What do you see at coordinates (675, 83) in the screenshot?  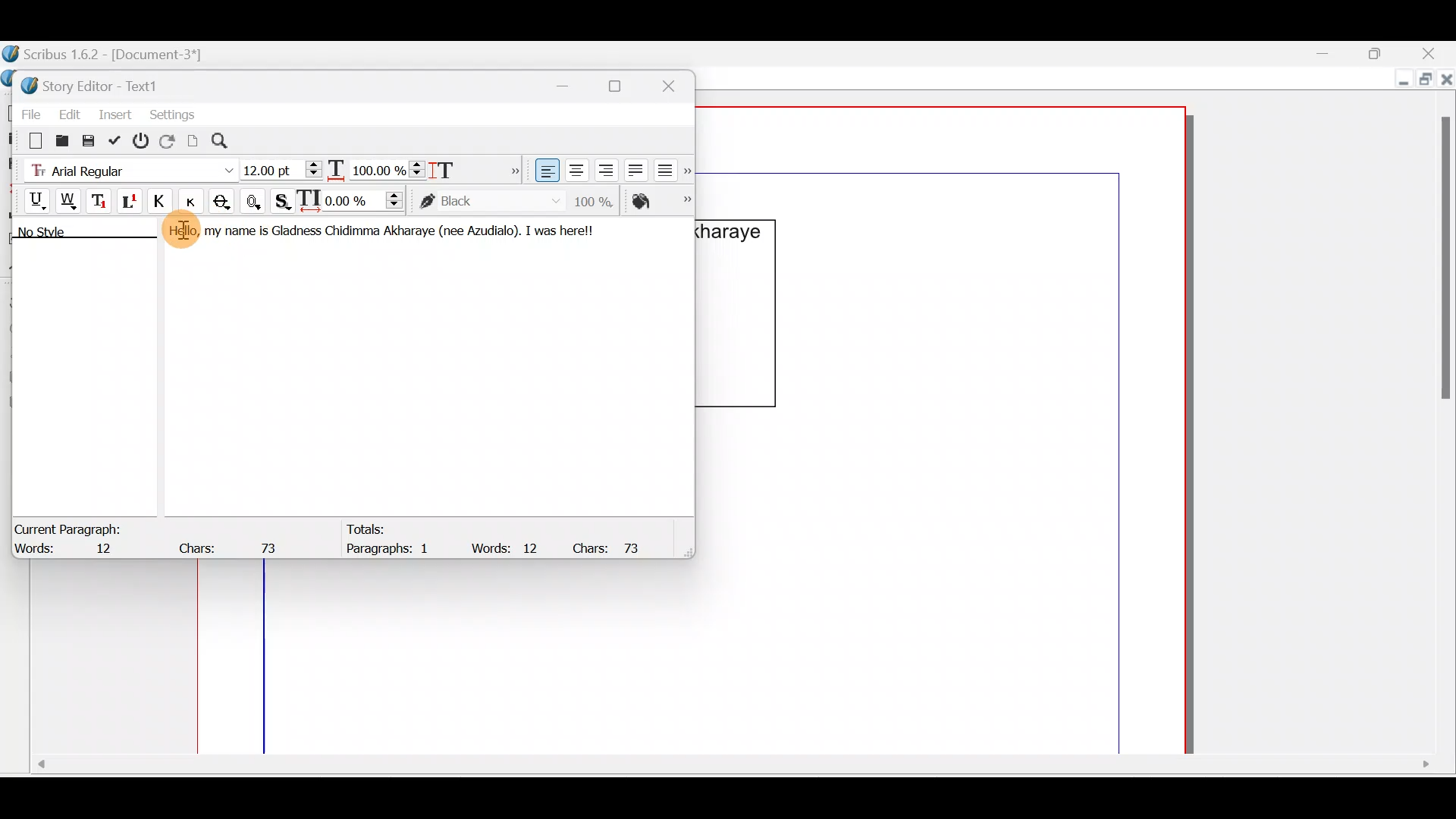 I see `Close` at bounding box center [675, 83].